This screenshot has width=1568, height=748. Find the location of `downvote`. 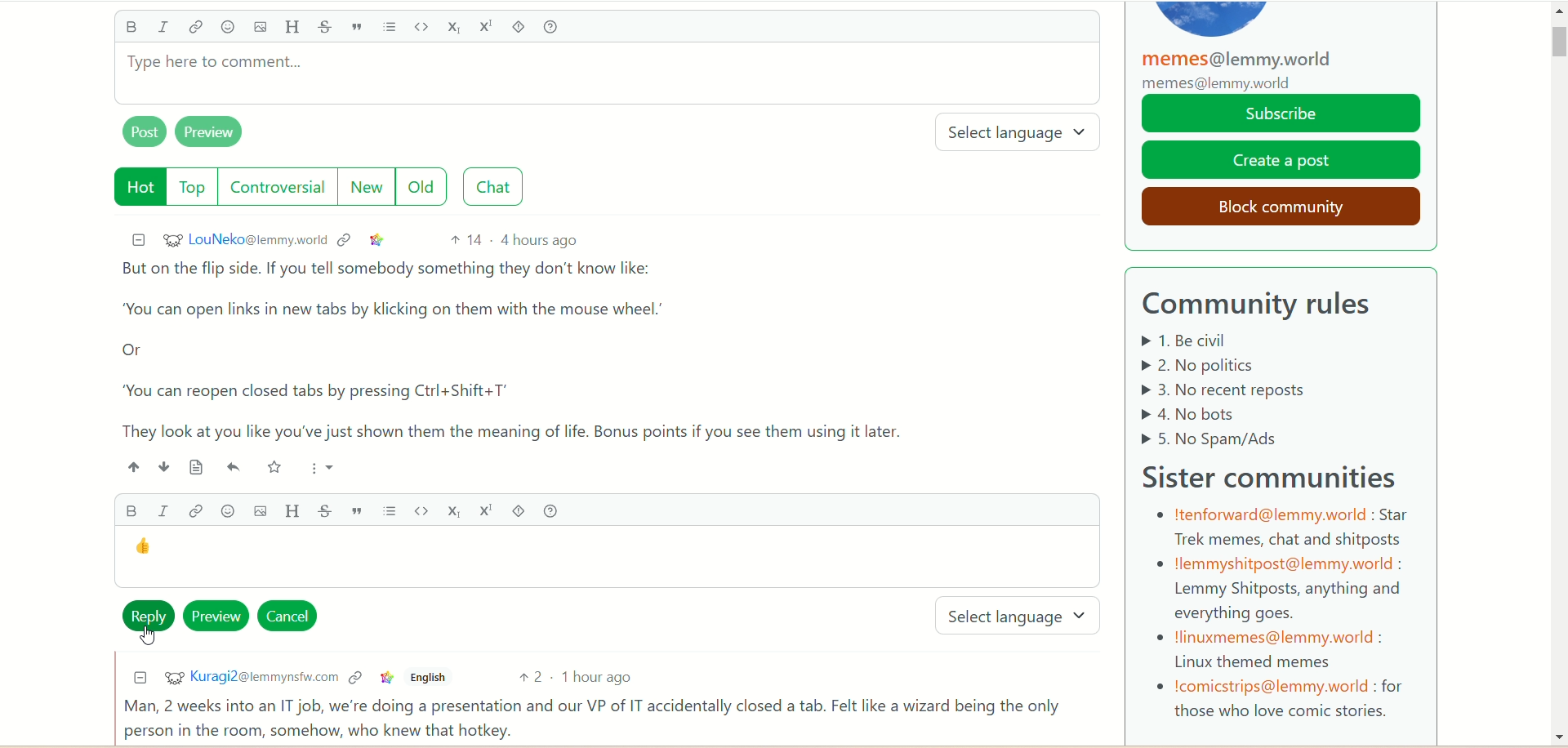

downvote is located at coordinates (159, 466).